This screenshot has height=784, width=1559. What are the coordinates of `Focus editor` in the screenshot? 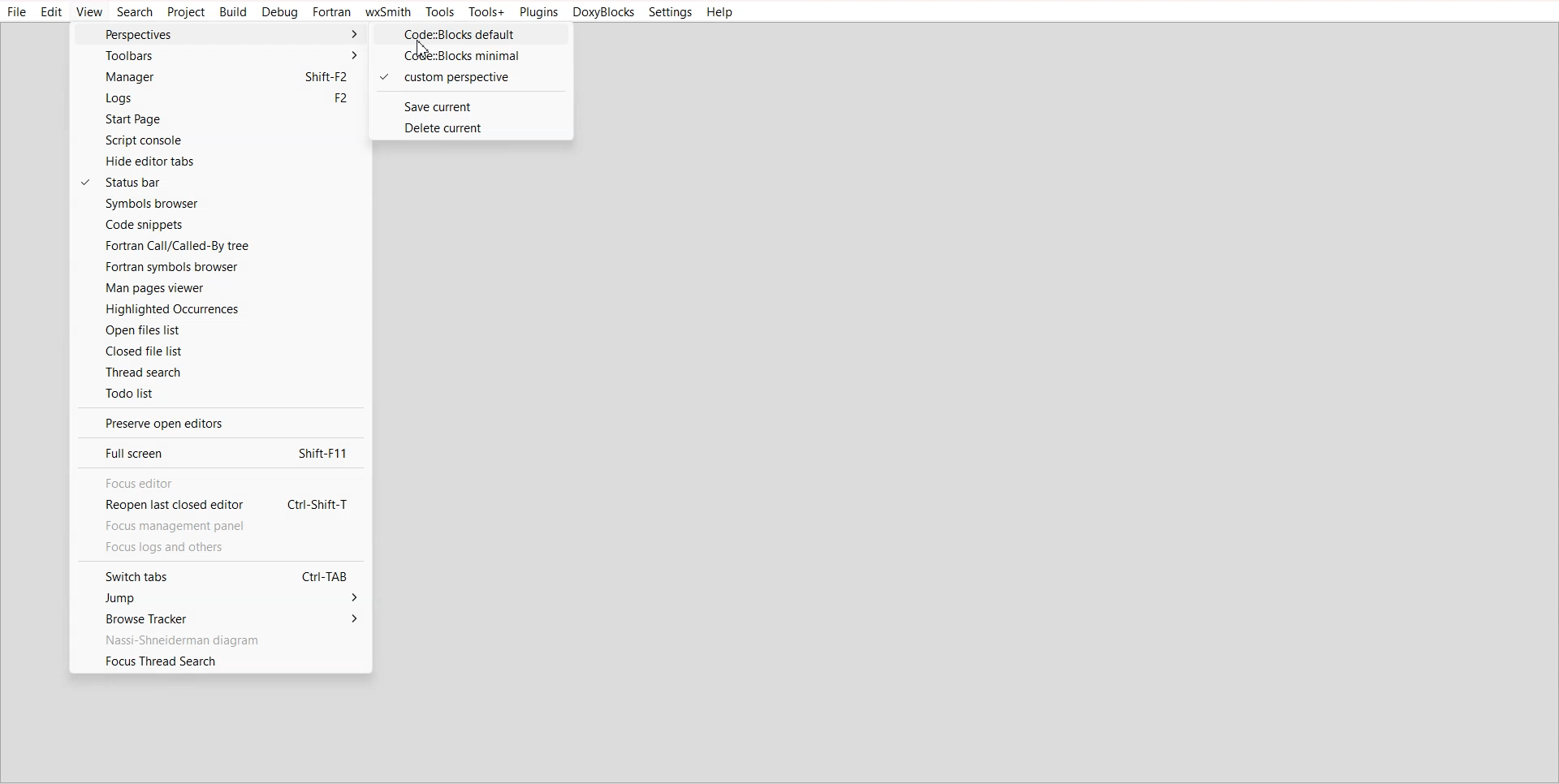 It's located at (216, 483).